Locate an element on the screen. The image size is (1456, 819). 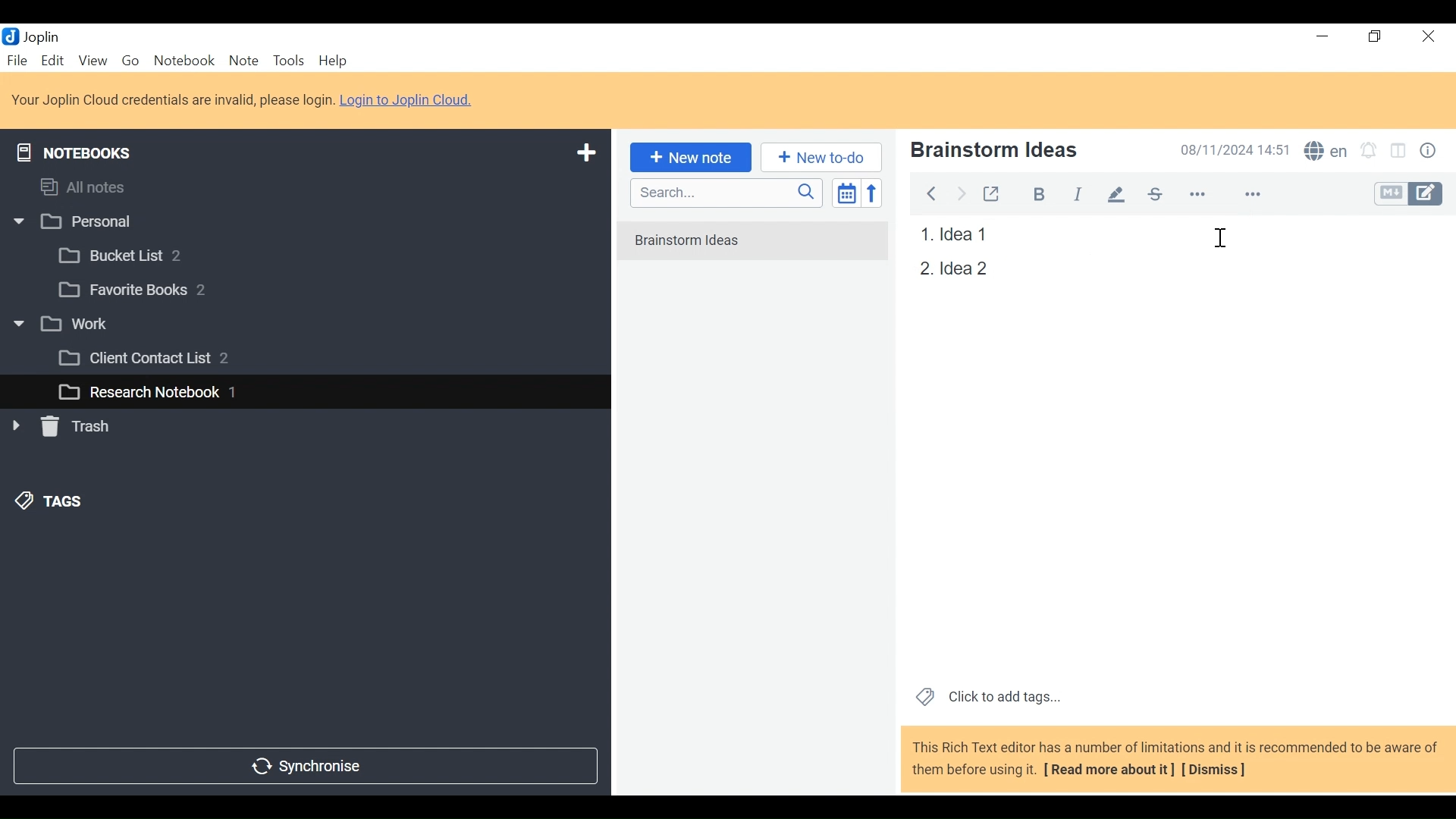
Add New to Do is located at coordinates (821, 158).